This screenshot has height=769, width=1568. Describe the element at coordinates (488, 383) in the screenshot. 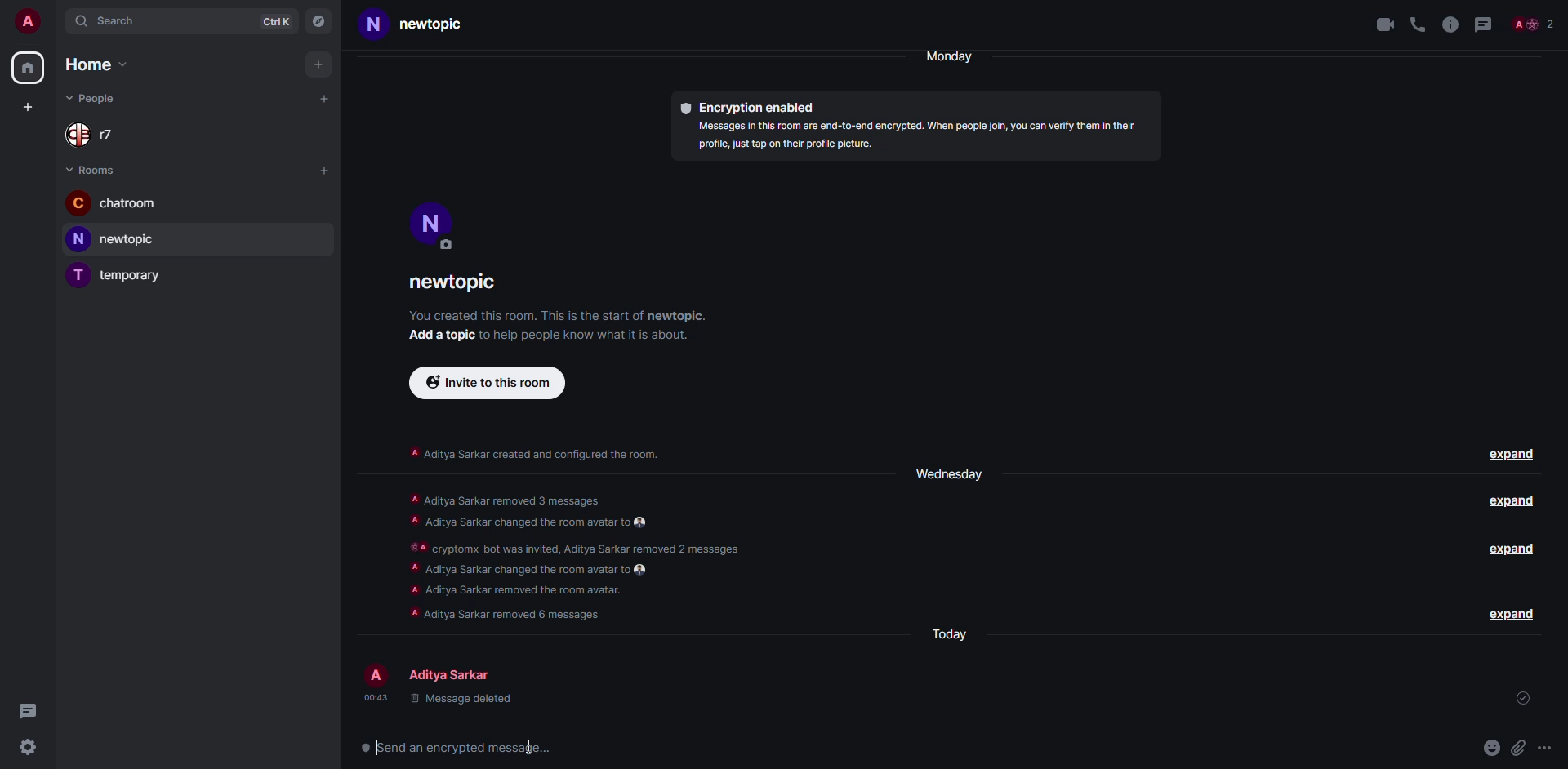

I see `invite to this room` at that location.